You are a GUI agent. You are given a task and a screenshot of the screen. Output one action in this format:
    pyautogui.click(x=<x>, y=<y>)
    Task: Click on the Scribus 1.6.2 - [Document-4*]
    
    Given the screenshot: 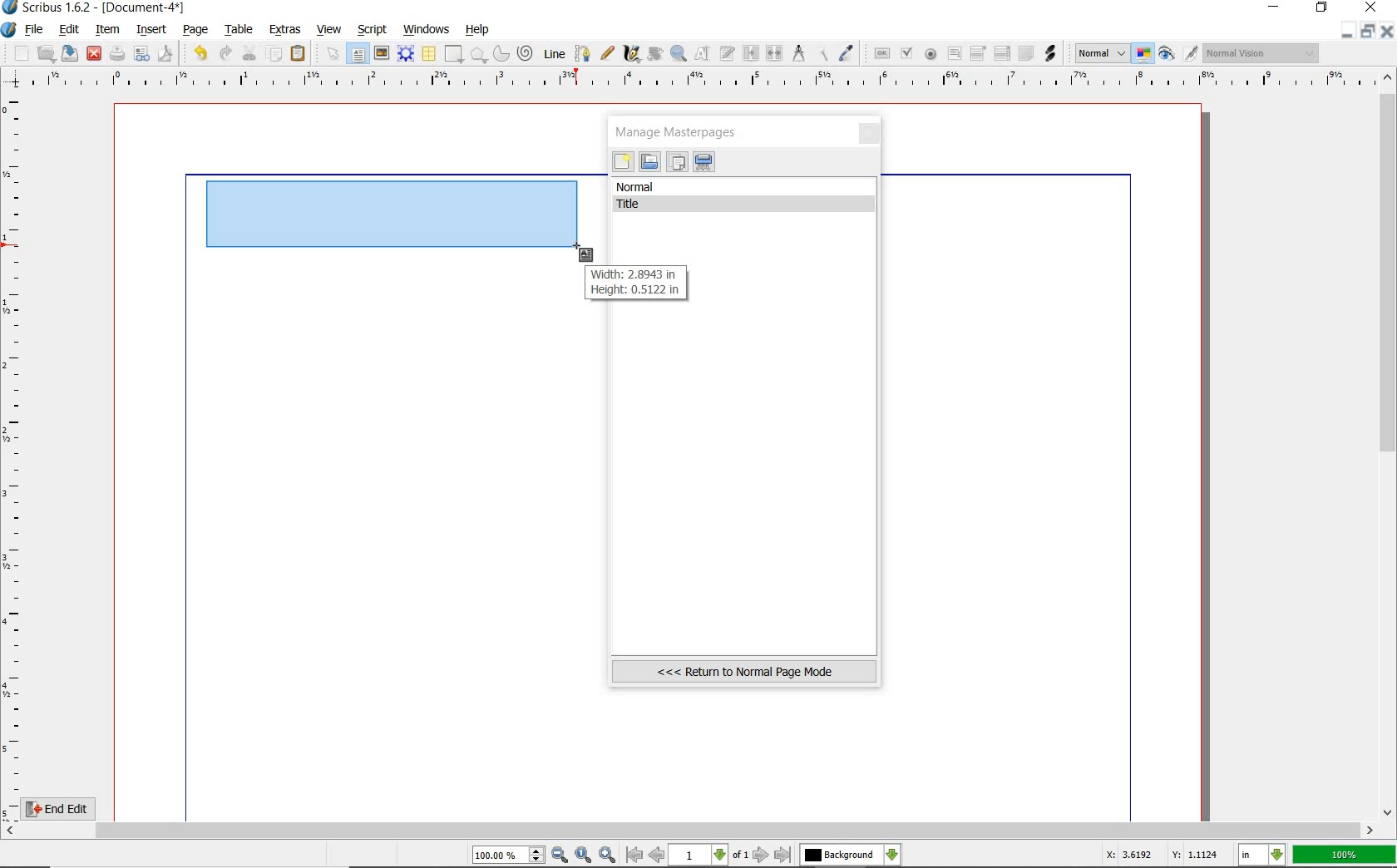 What is the action you would take?
    pyautogui.click(x=95, y=8)
    